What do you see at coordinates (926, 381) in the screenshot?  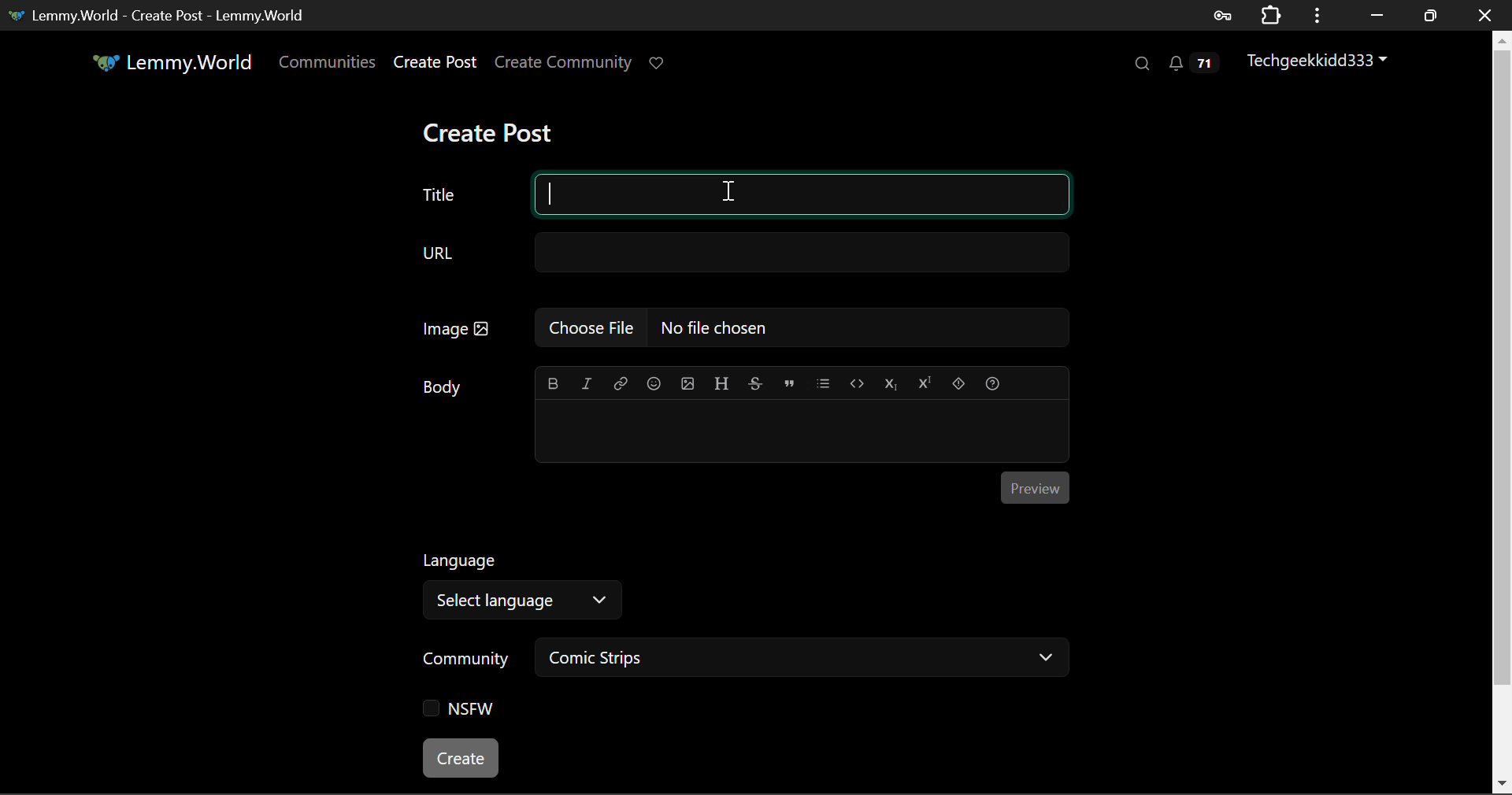 I see `superscript` at bounding box center [926, 381].